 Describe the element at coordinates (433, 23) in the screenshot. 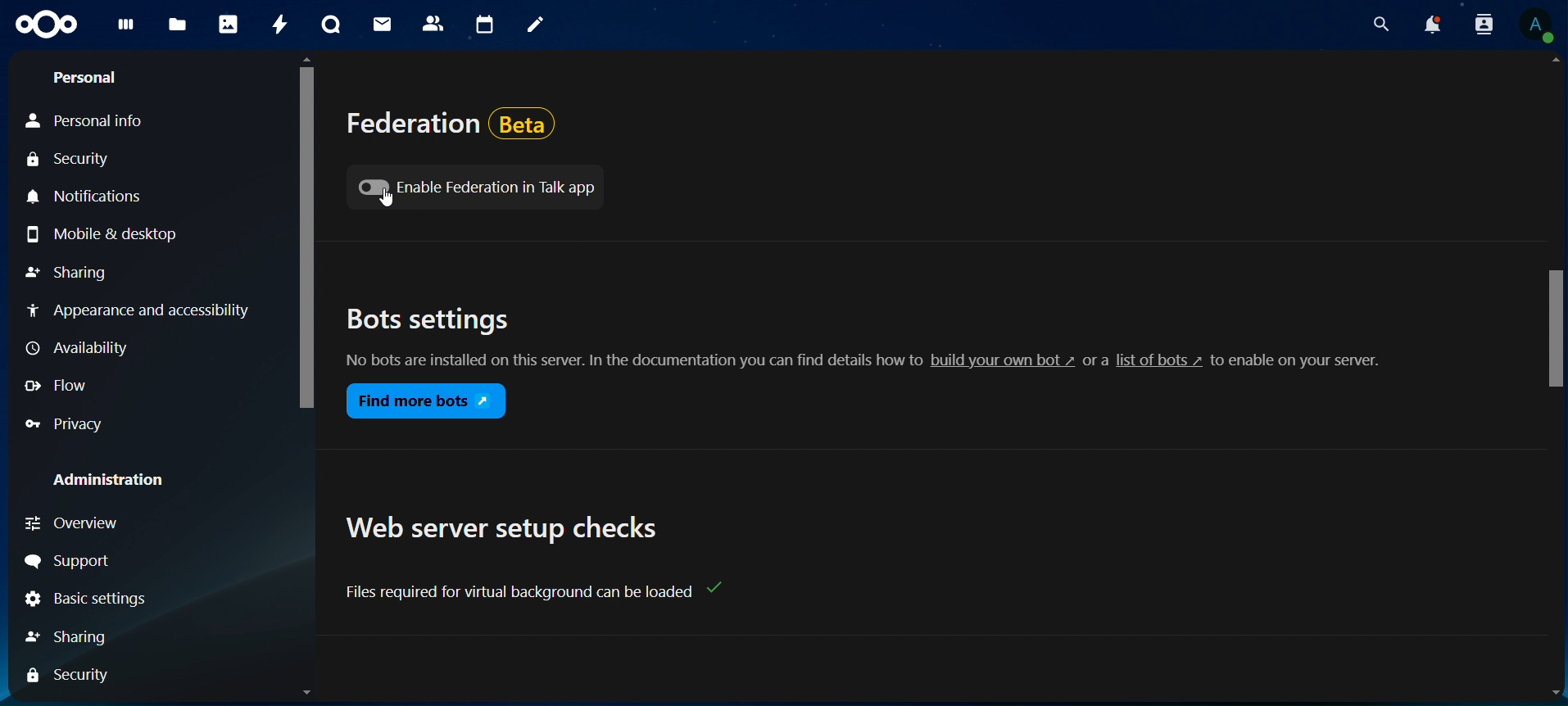

I see `contacts` at that location.